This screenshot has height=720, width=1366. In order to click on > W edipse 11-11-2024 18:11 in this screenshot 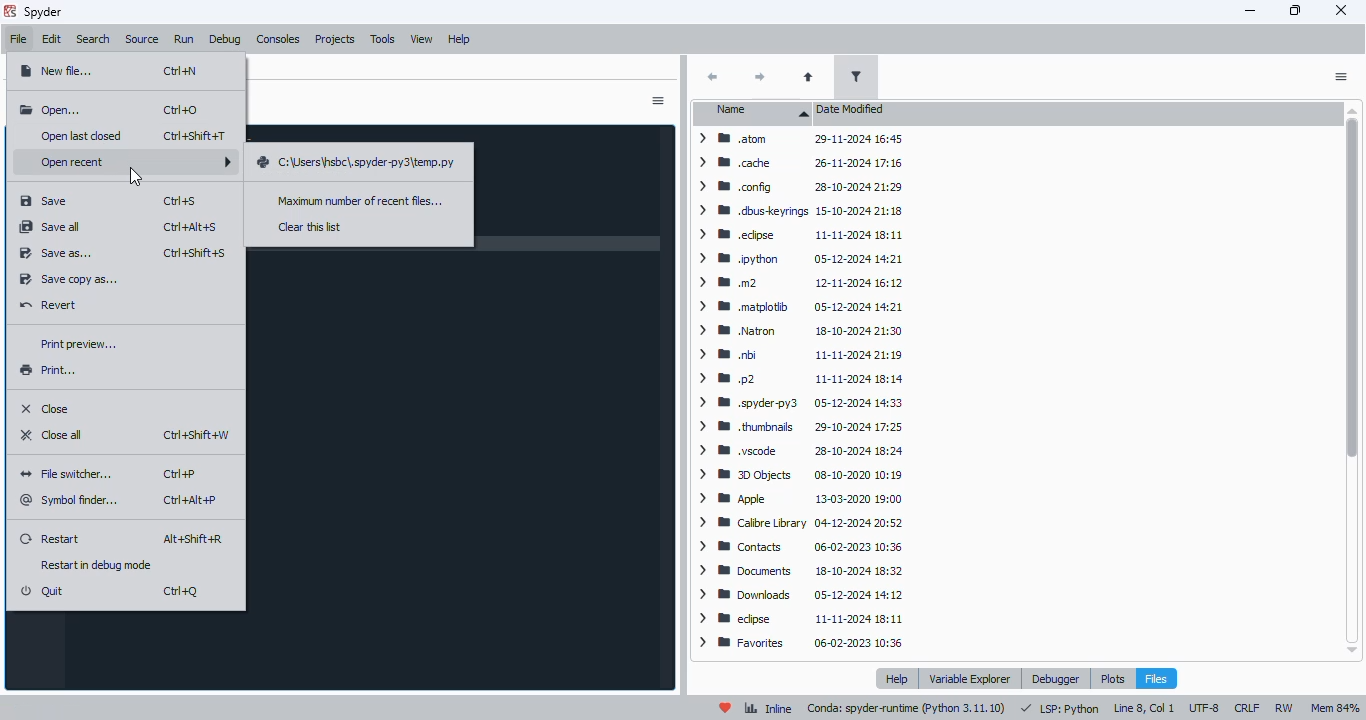, I will do `click(801, 620)`.